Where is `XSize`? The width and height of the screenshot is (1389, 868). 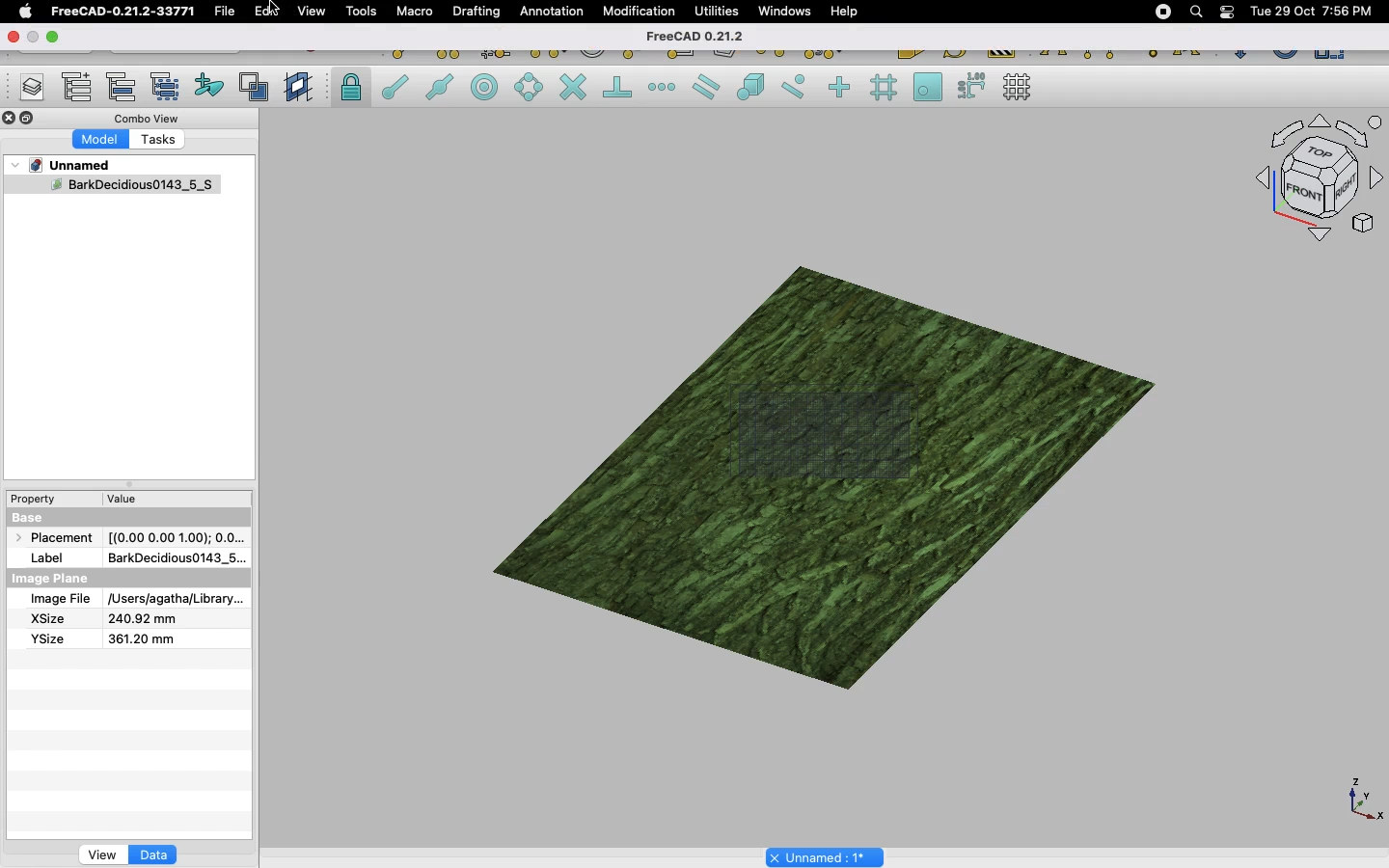 XSize is located at coordinates (48, 619).